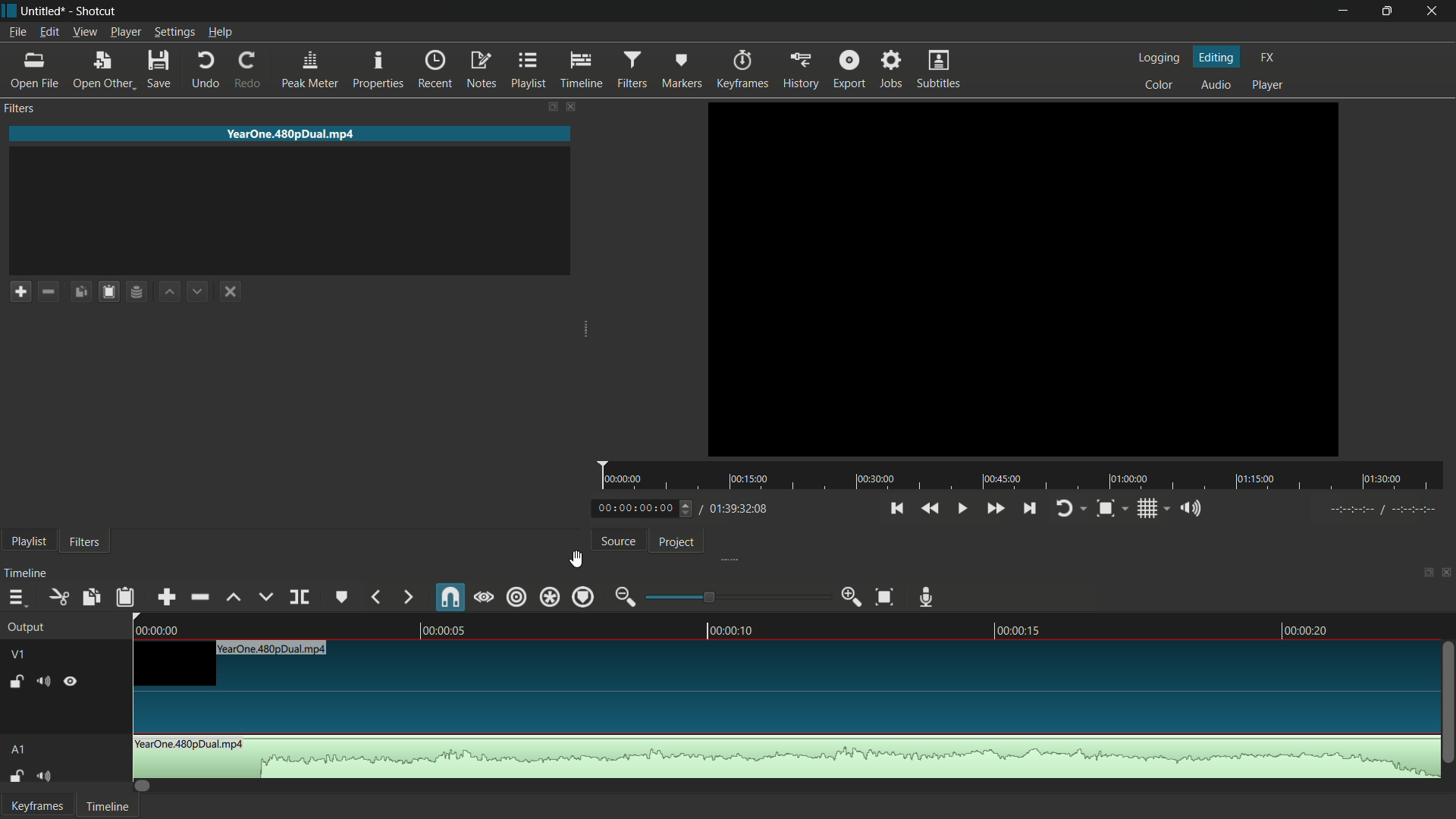 This screenshot has width=1456, height=819. I want to click on a1, so click(19, 752).